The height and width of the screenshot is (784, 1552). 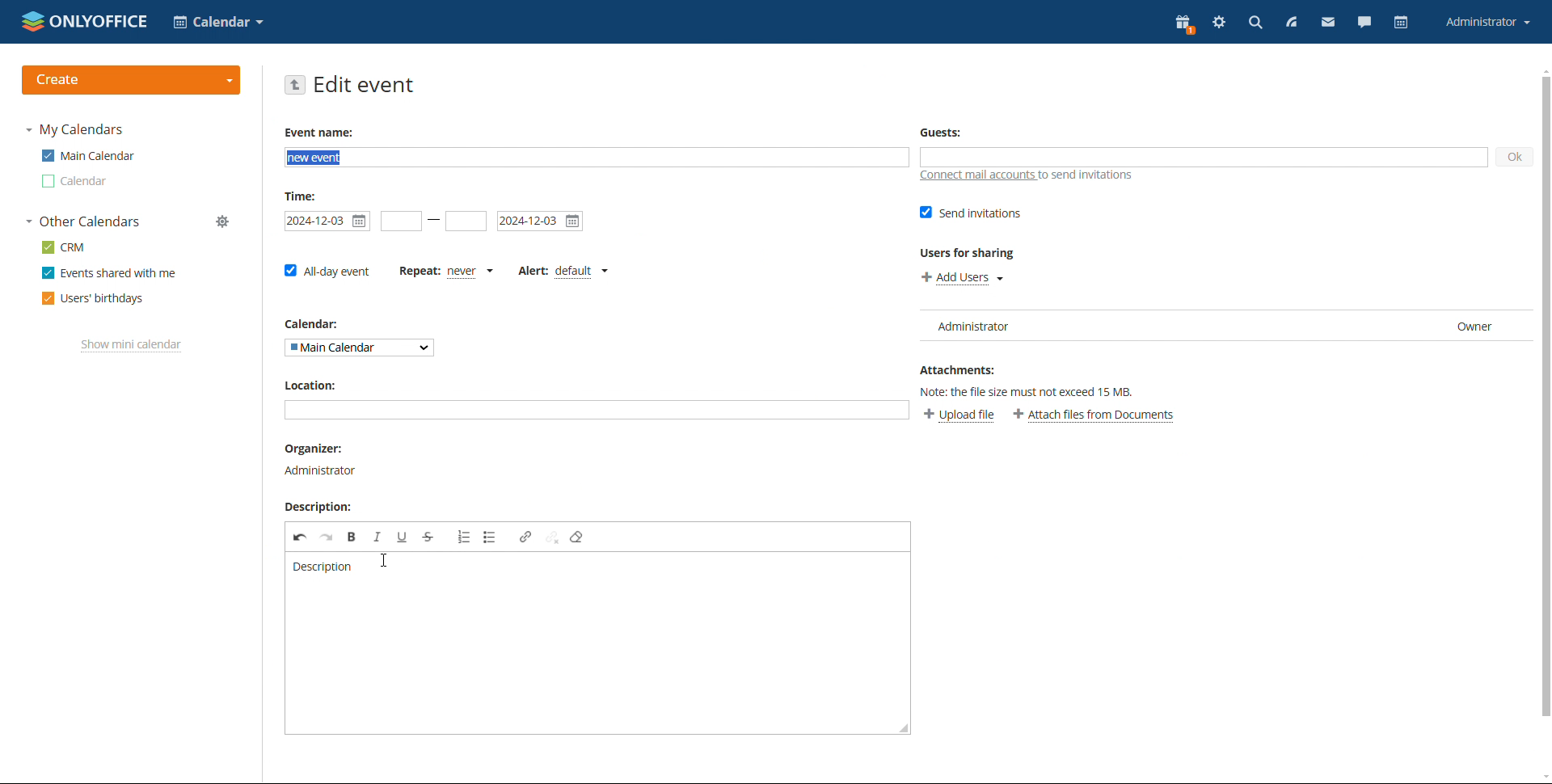 What do you see at coordinates (304, 196) in the screenshot?
I see `Time:` at bounding box center [304, 196].